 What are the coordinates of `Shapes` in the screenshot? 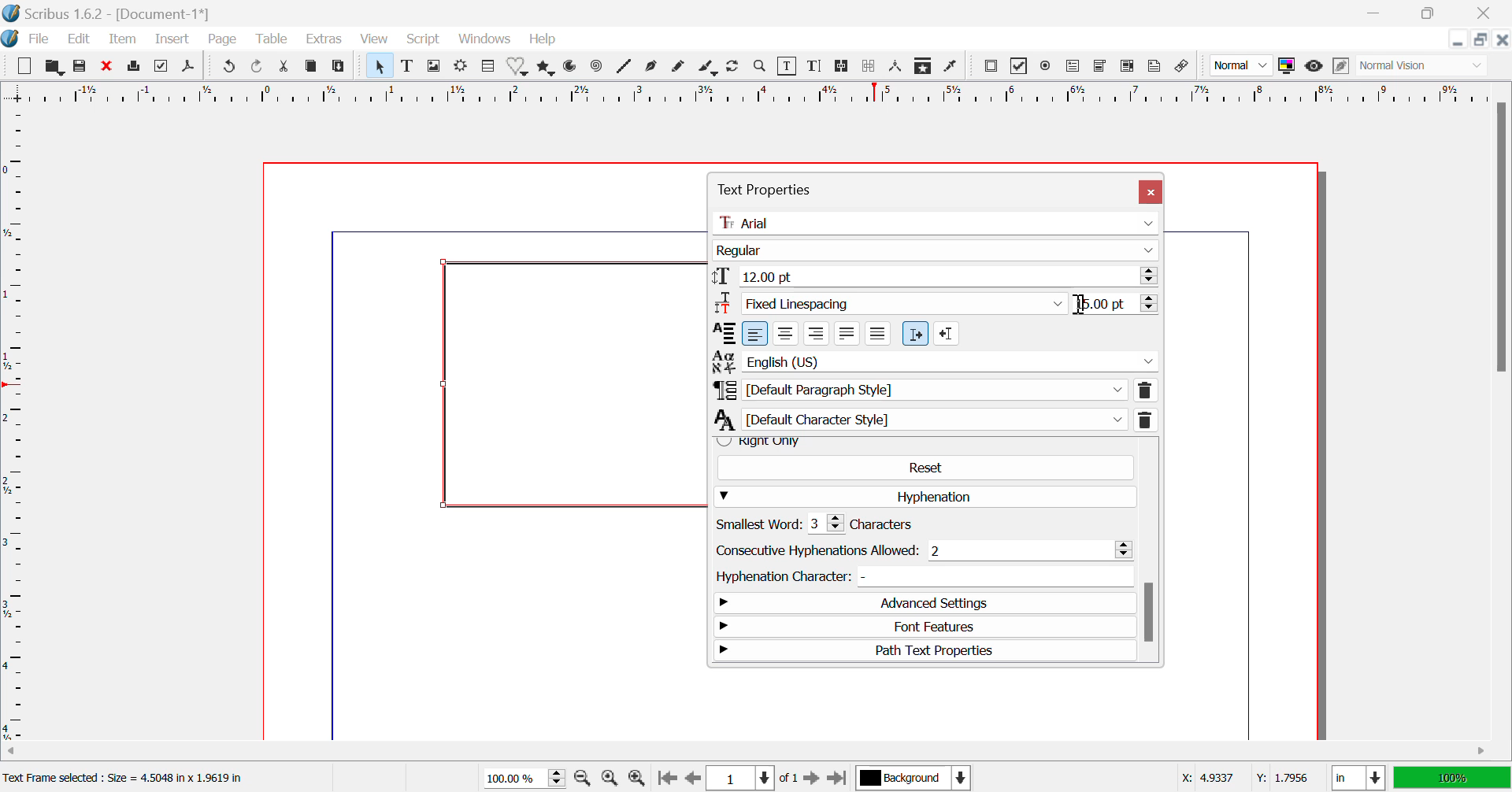 It's located at (520, 68).